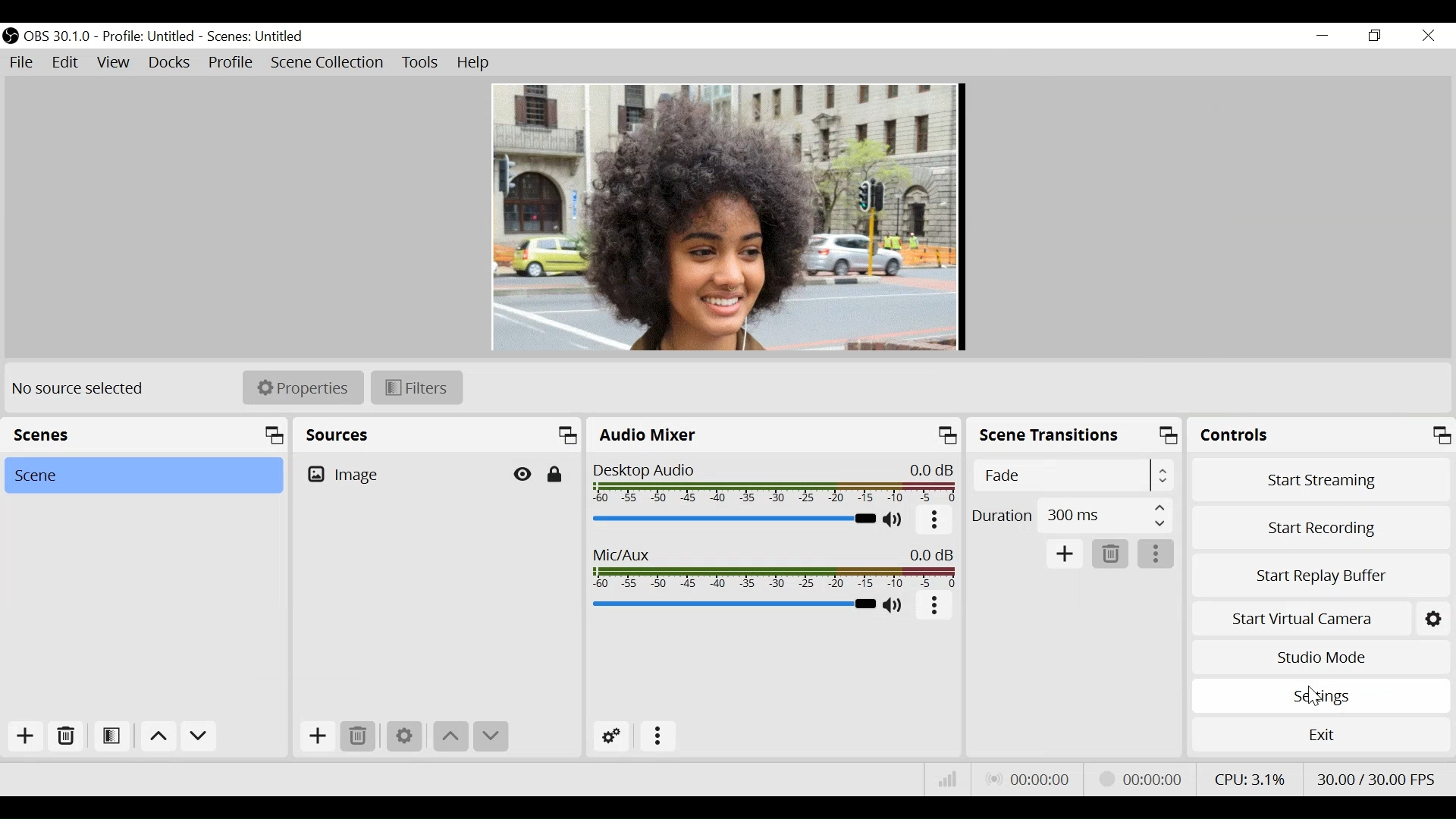 The image size is (1456, 819). What do you see at coordinates (1065, 553) in the screenshot?
I see `Add ` at bounding box center [1065, 553].